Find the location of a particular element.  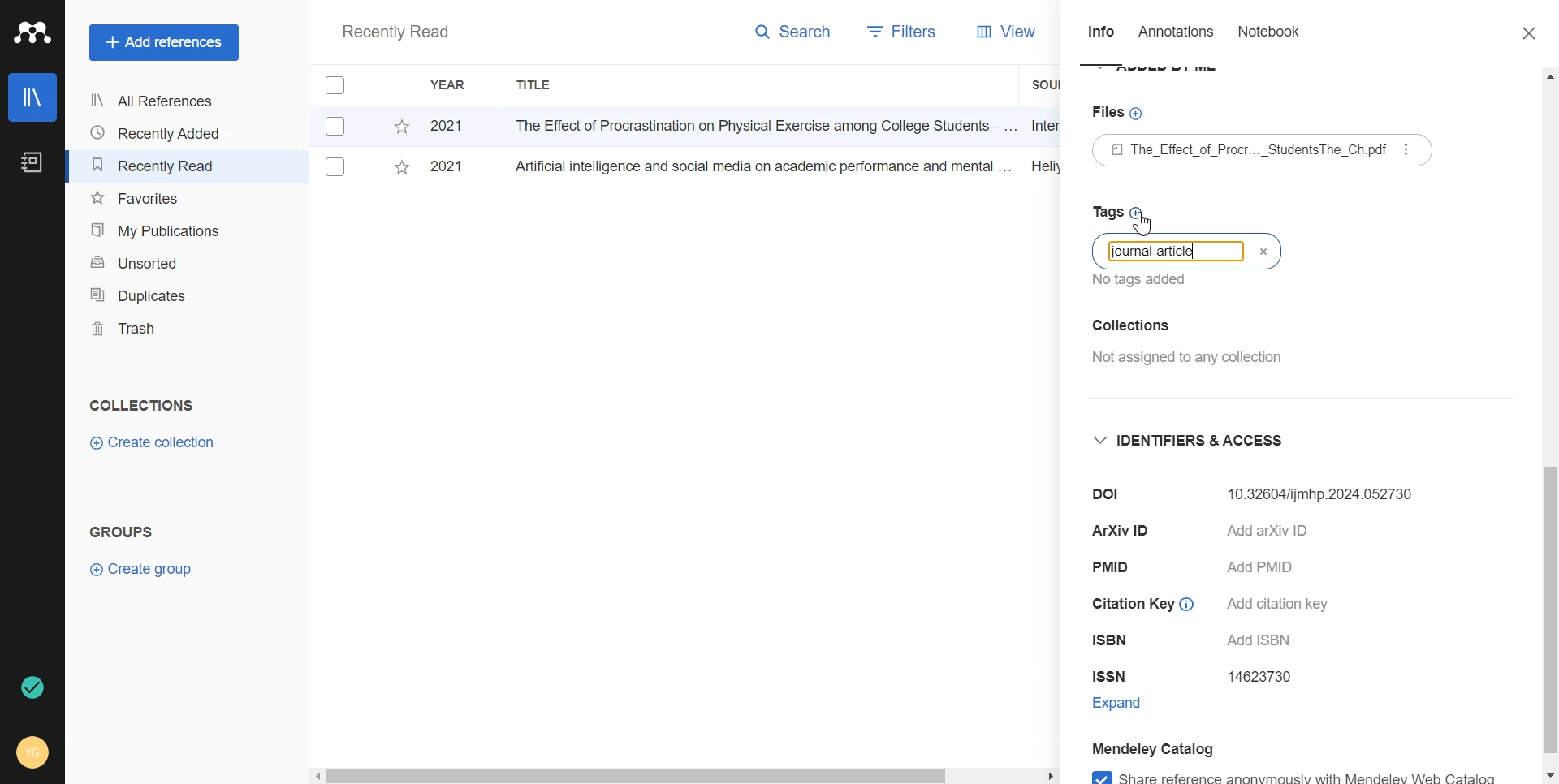

Expand is located at coordinates (1134, 706).